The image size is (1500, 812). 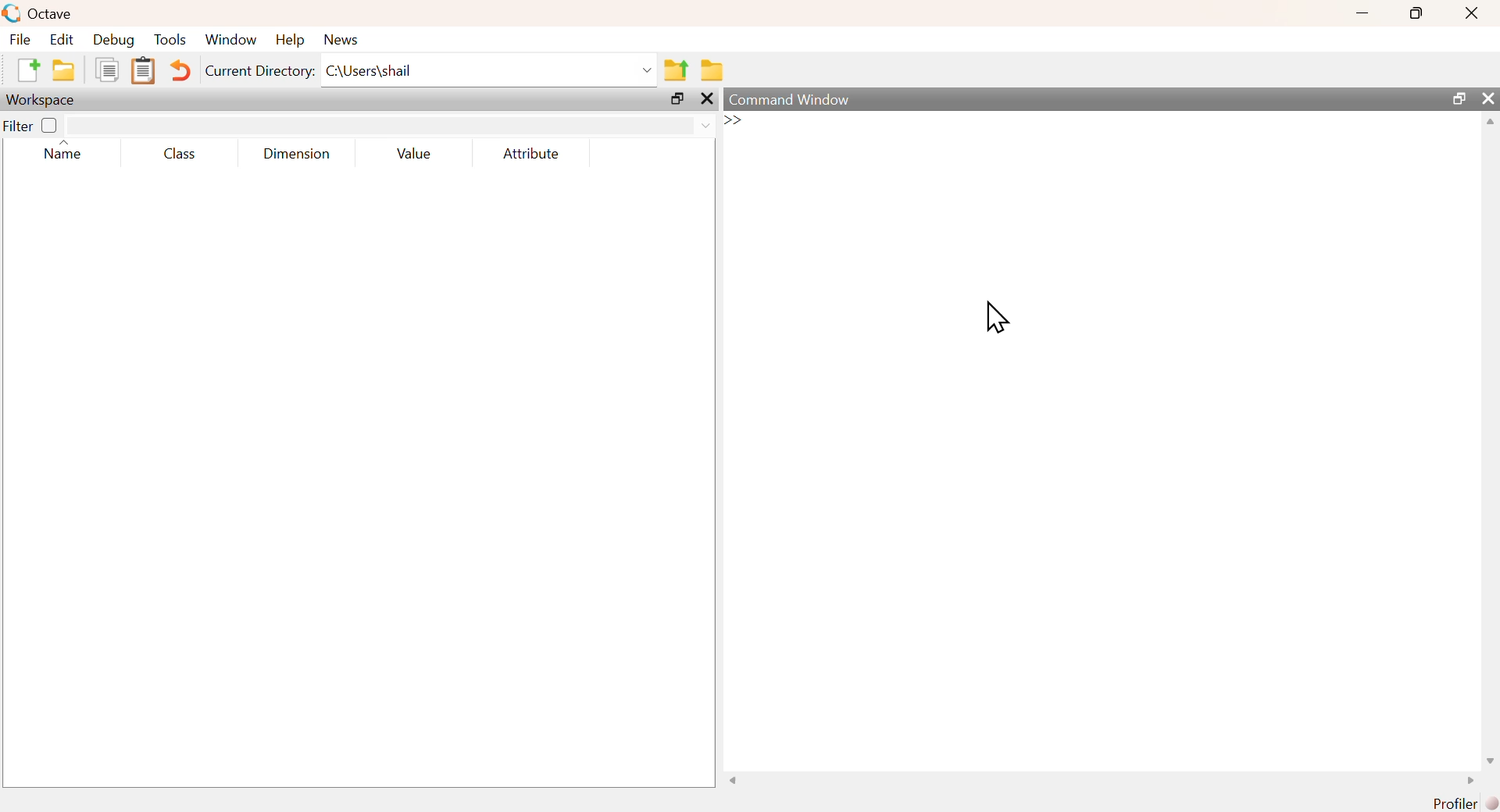 What do you see at coordinates (1458, 98) in the screenshot?
I see `maximize` at bounding box center [1458, 98].